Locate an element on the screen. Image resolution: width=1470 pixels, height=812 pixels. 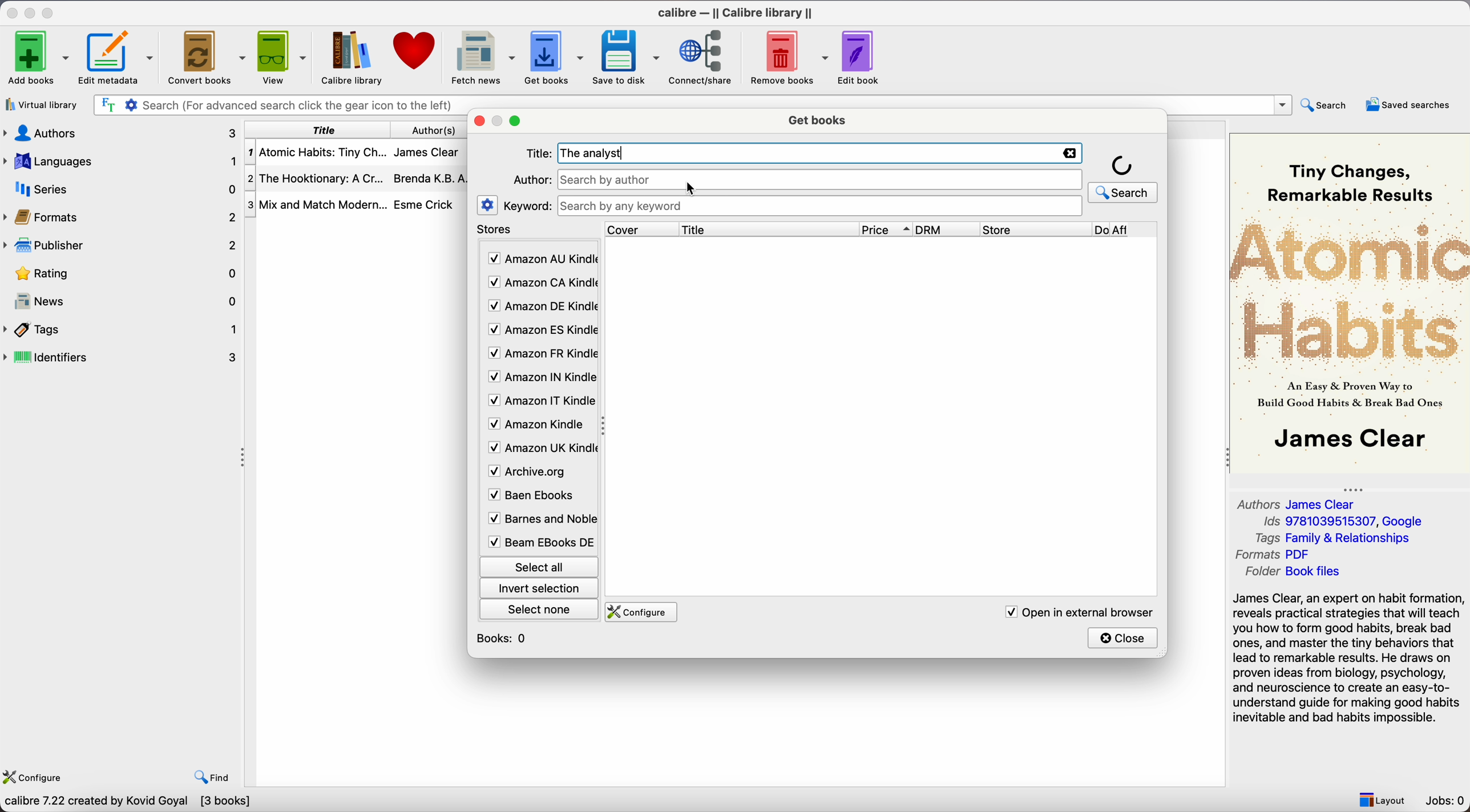
keyword is located at coordinates (528, 207).